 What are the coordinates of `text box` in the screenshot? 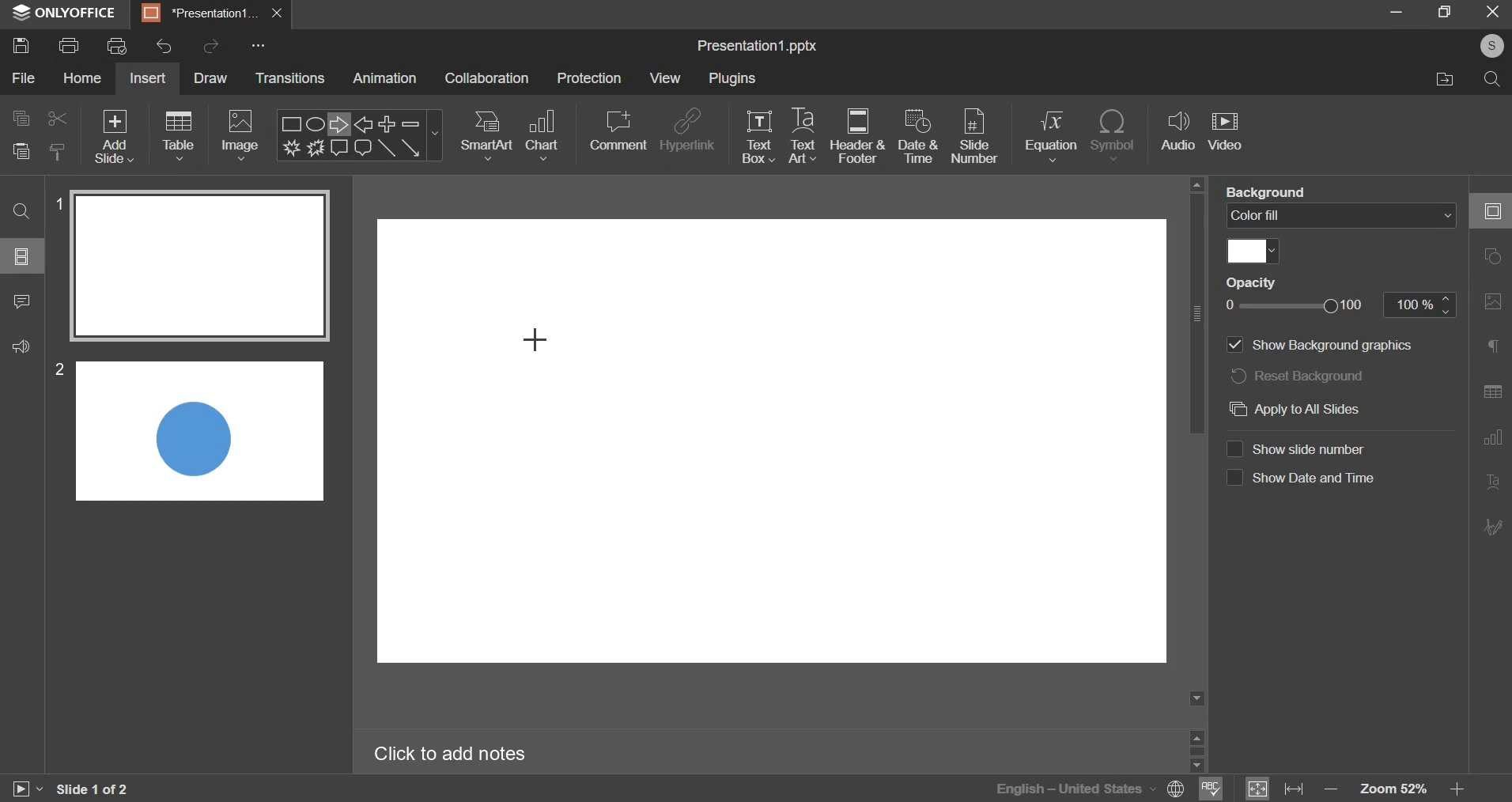 It's located at (758, 136).